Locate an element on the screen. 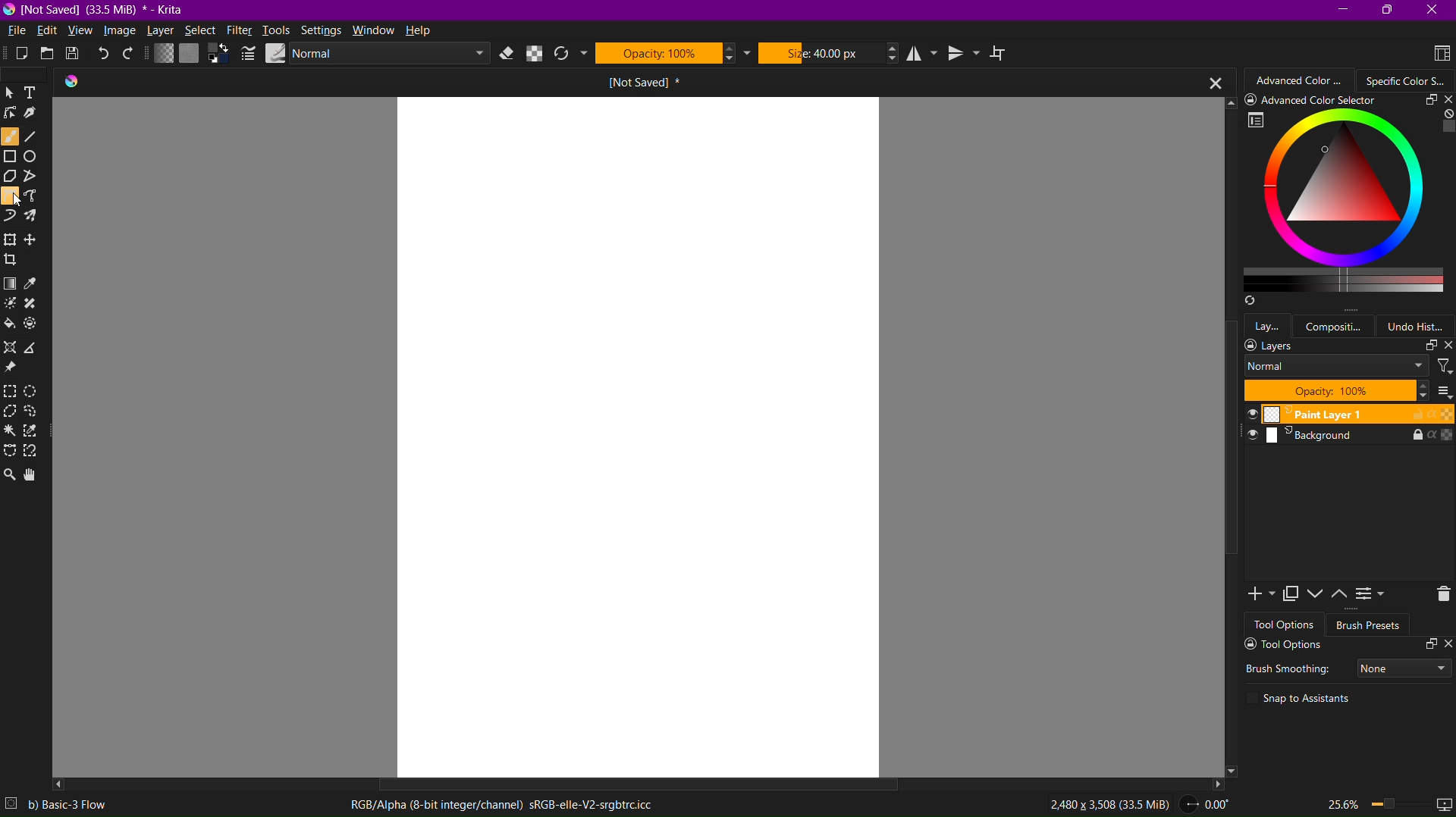 The height and width of the screenshot is (817, 1456). Scrollbar is located at coordinates (1228, 459).